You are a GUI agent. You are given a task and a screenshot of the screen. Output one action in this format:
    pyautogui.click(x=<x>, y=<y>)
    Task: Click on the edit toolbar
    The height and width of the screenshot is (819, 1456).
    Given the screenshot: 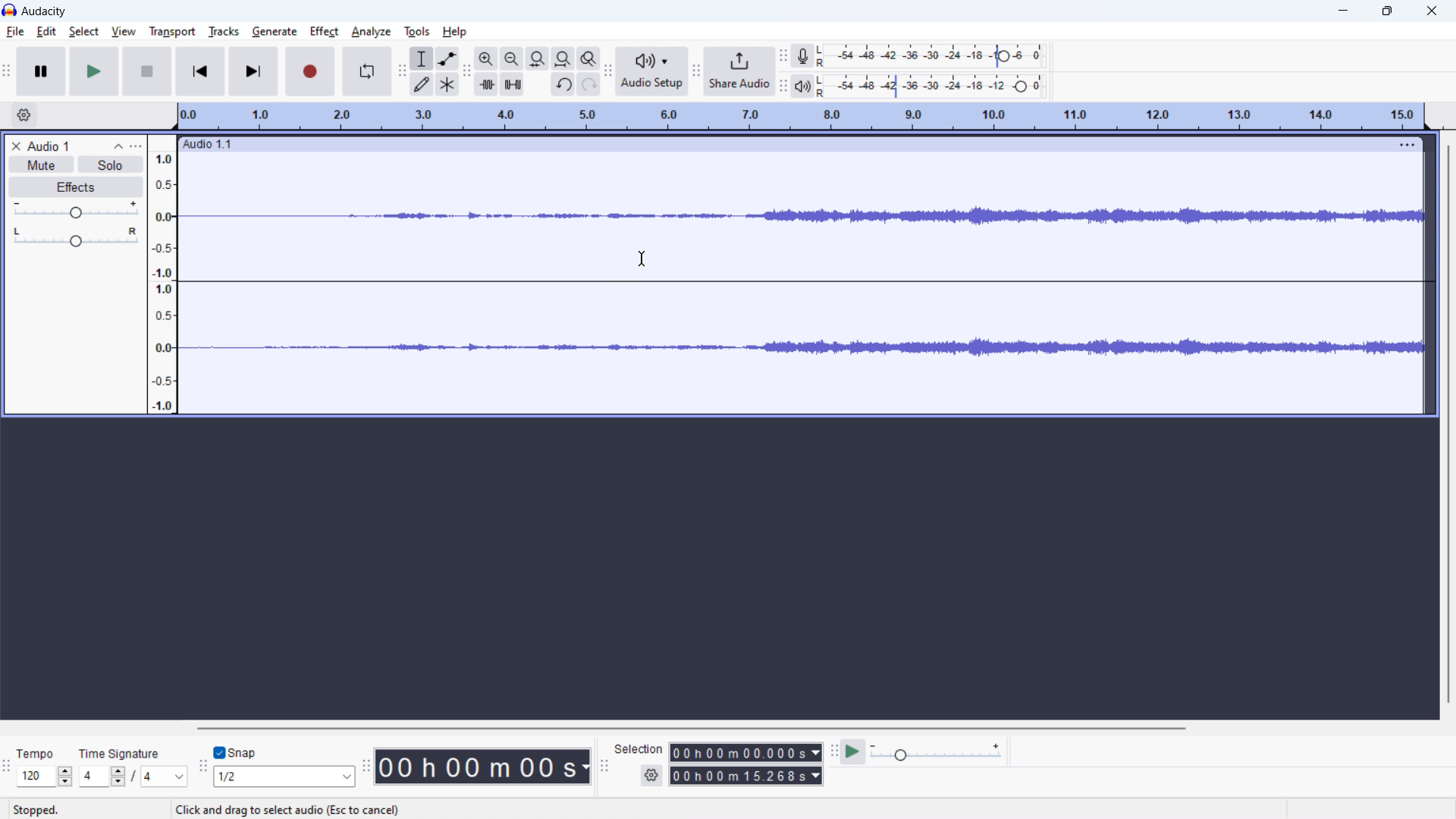 What is the action you would take?
    pyautogui.click(x=466, y=71)
    